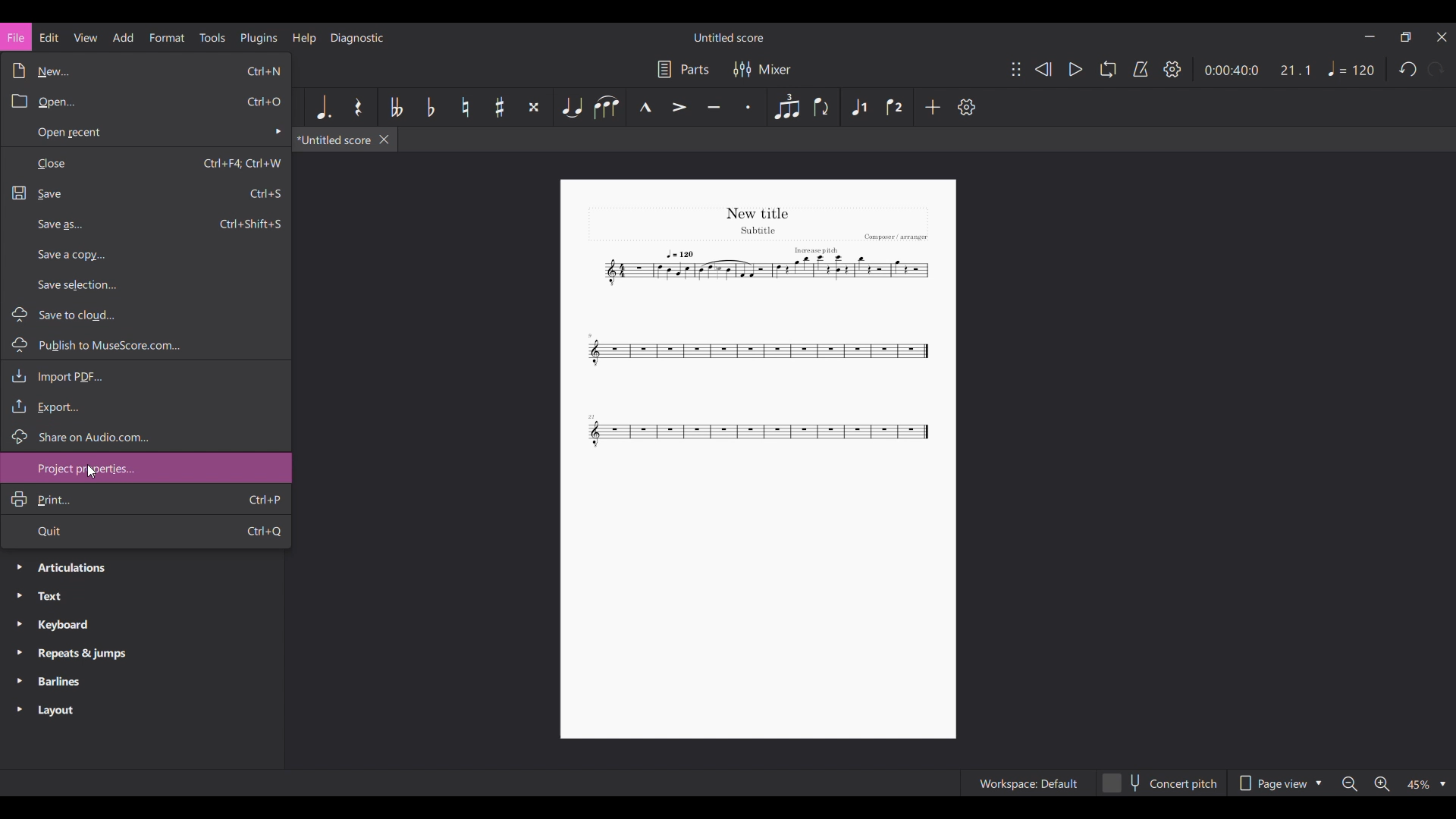 The height and width of the screenshot is (819, 1456). What do you see at coordinates (645, 107) in the screenshot?
I see `Marcato` at bounding box center [645, 107].